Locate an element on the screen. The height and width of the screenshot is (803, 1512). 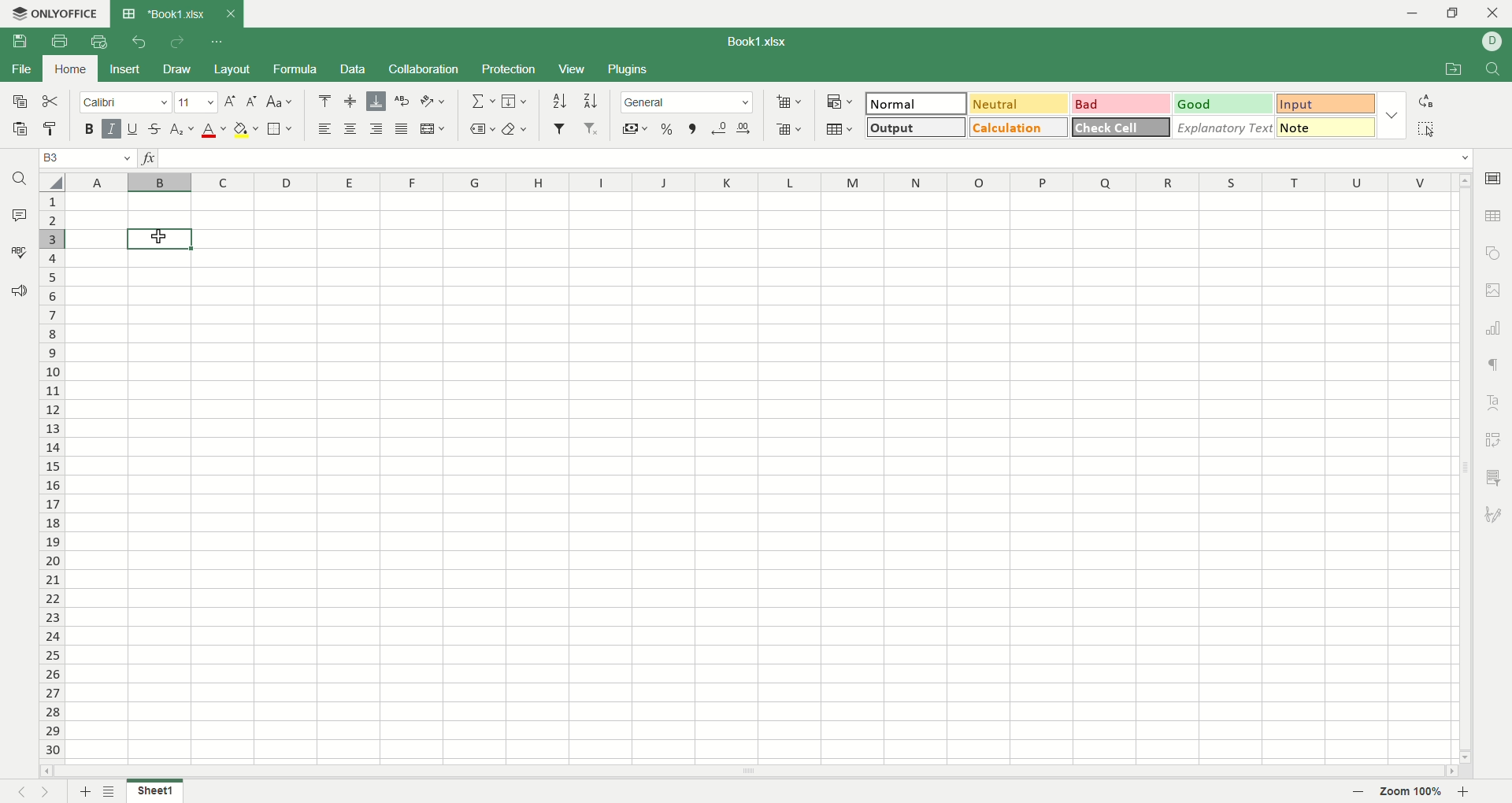
justified is located at coordinates (399, 128).